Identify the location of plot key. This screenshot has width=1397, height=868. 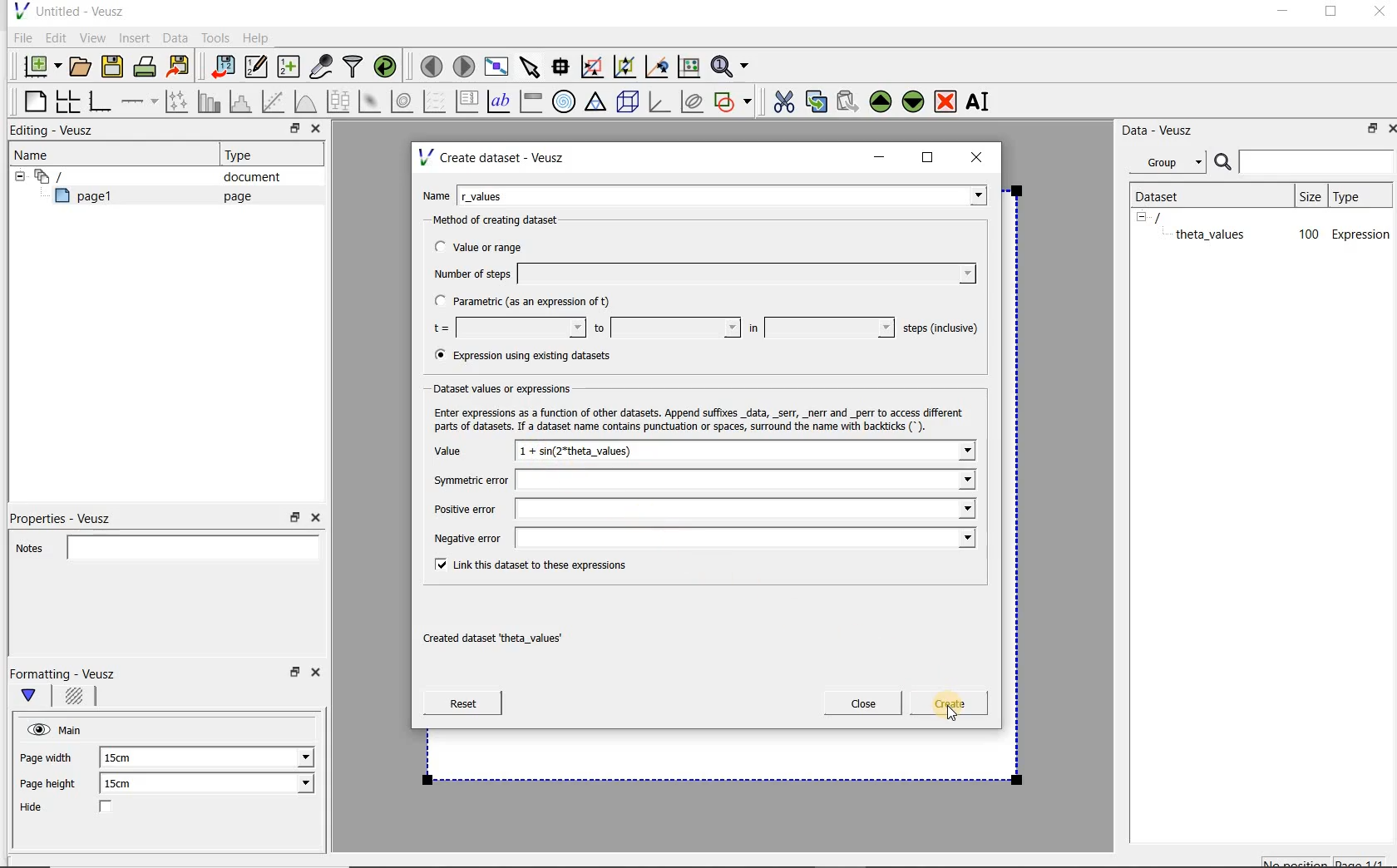
(468, 101).